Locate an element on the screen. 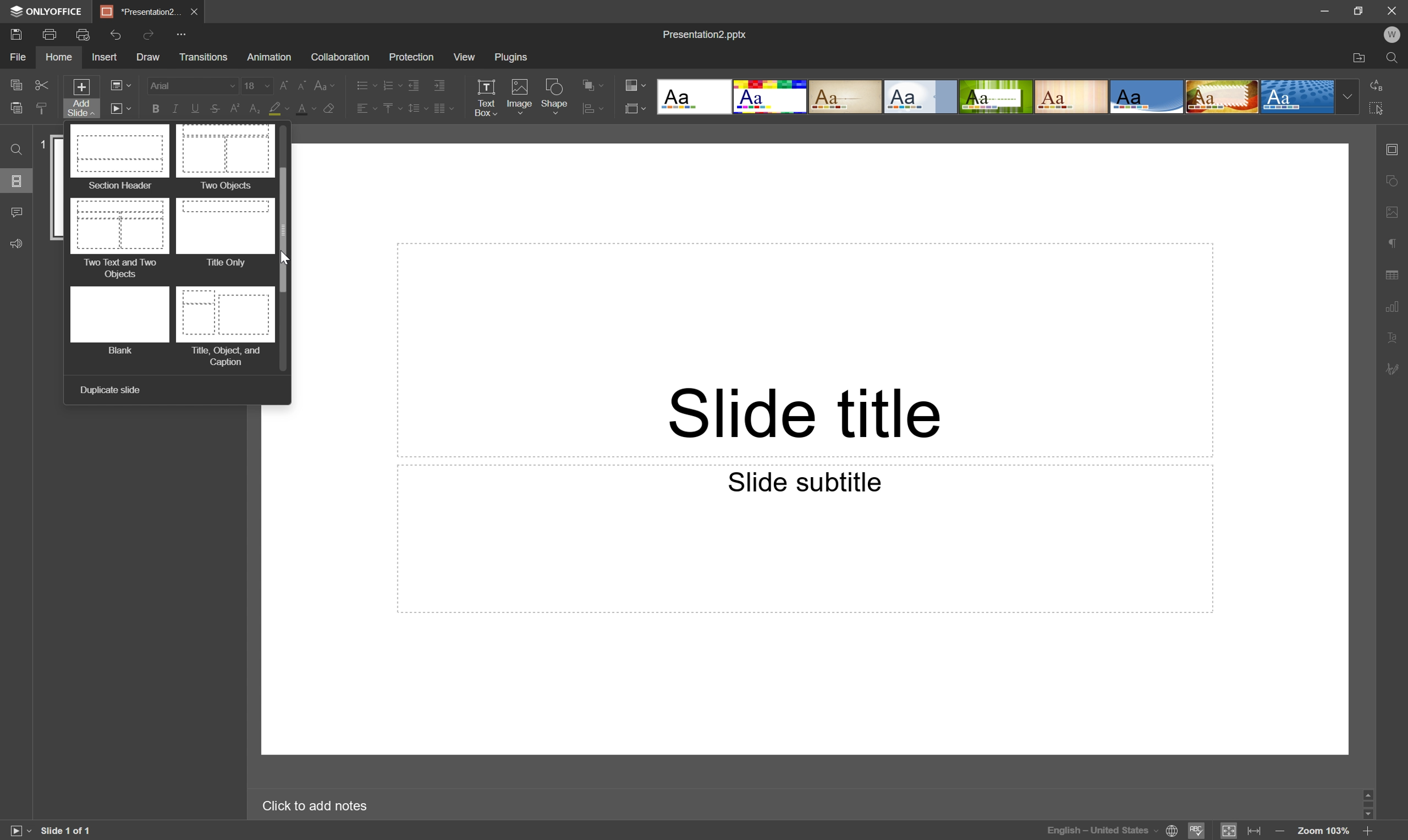 The width and height of the screenshot is (1408, 840). Redo is located at coordinates (120, 36).